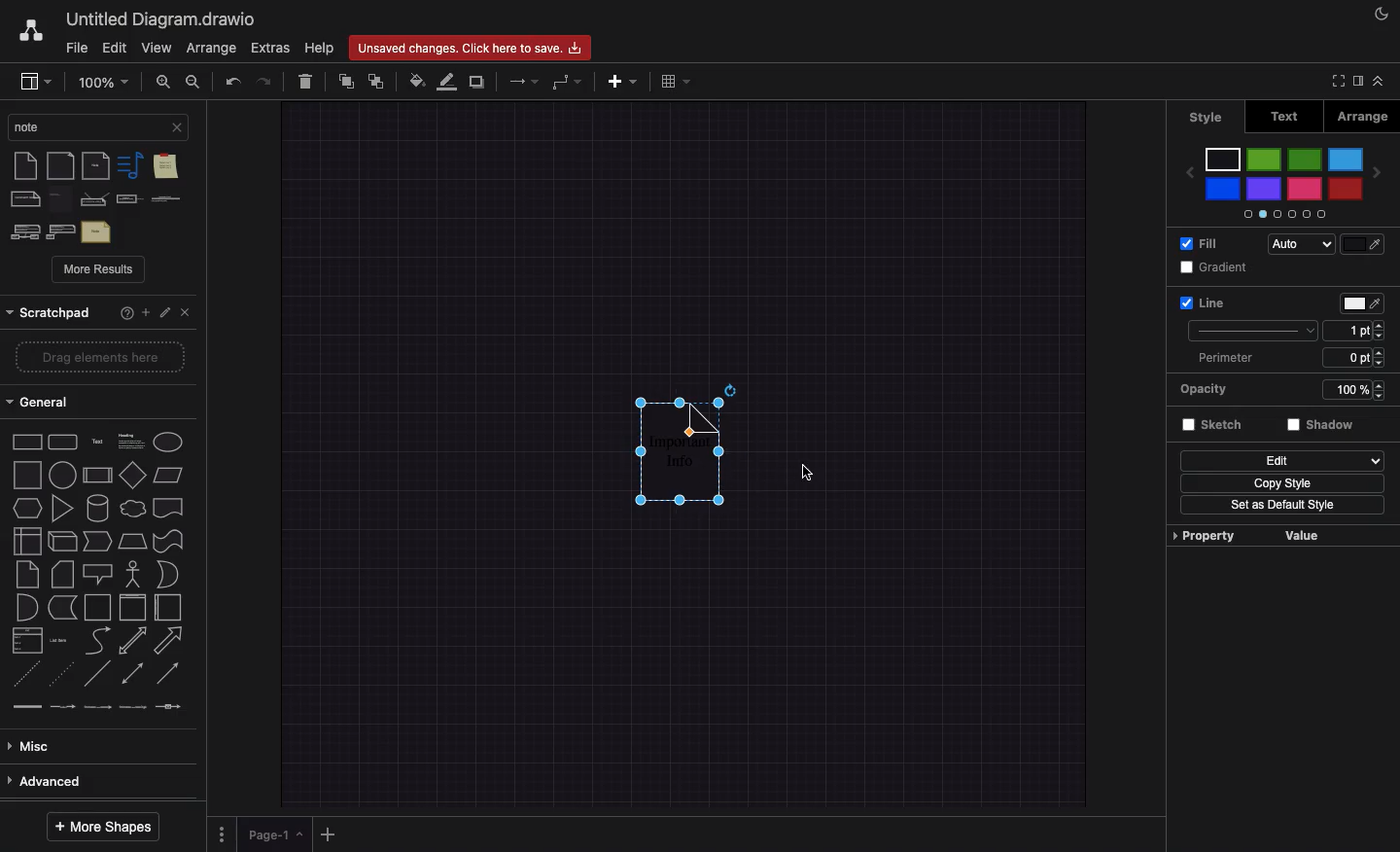 Image resolution: width=1400 pixels, height=852 pixels. What do you see at coordinates (169, 640) in the screenshot?
I see `arrow` at bounding box center [169, 640].